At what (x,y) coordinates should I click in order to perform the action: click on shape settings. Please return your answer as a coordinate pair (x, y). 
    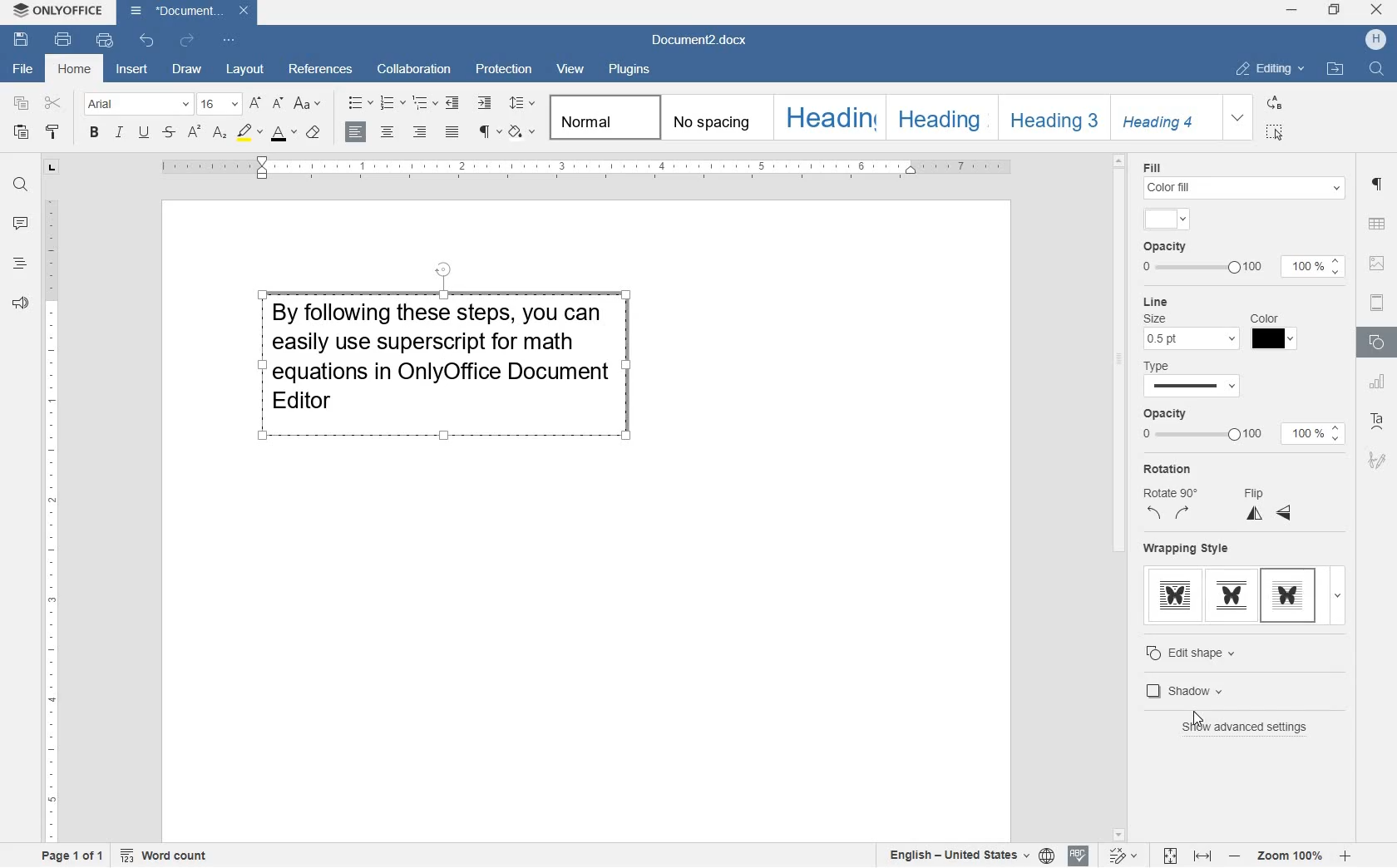
    Looking at the image, I should click on (1377, 343).